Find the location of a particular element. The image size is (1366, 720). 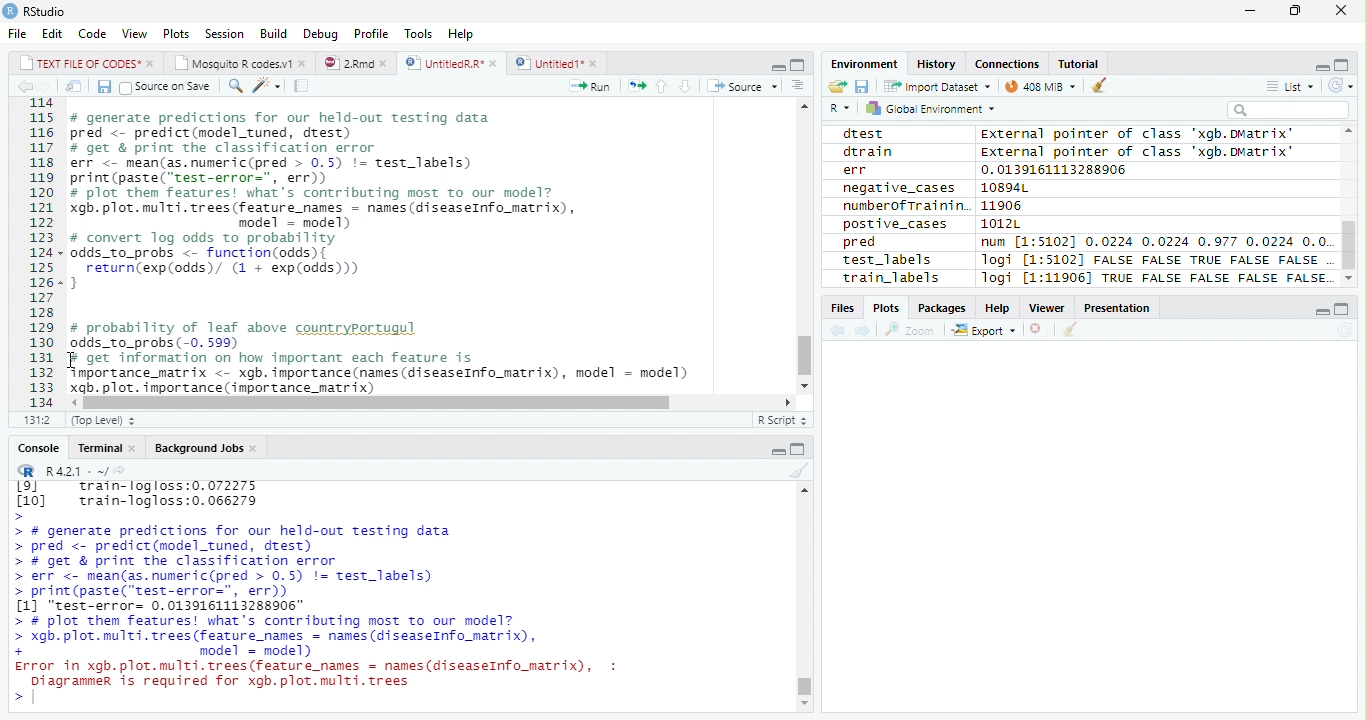

Console is located at coordinates (39, 447).